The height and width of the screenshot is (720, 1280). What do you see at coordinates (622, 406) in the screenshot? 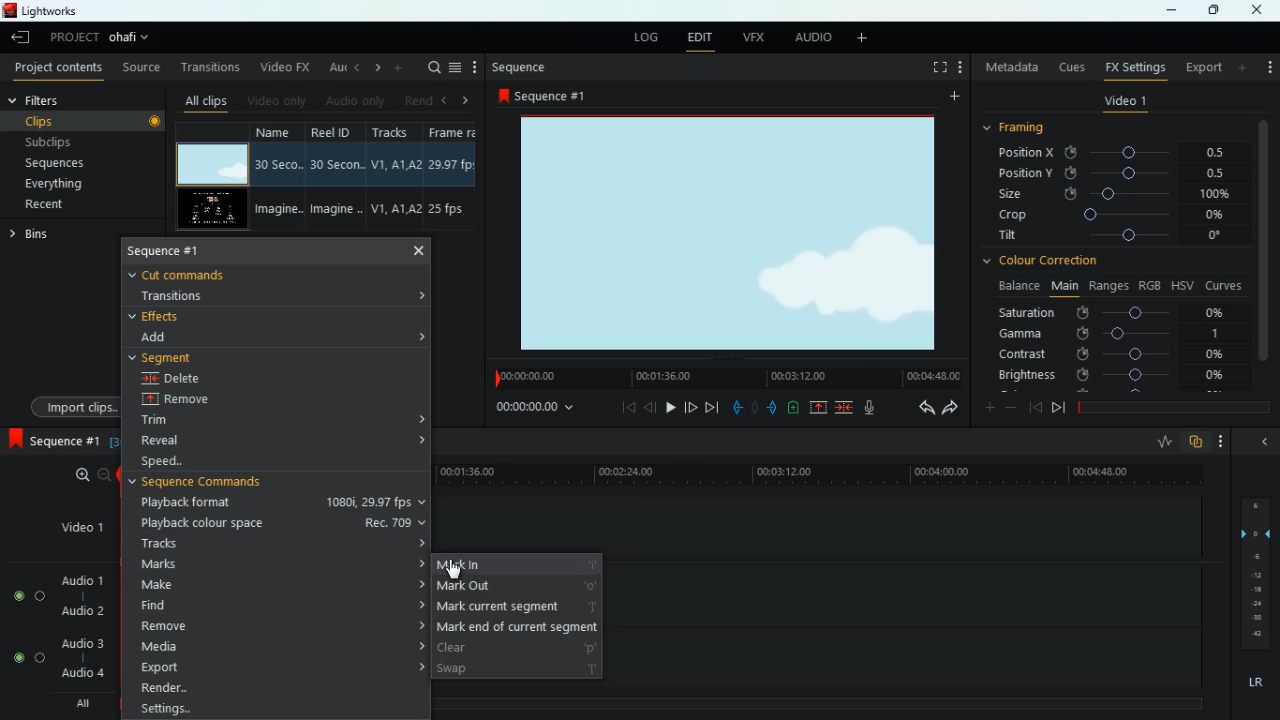
I see `beggining` at bounding box center [622, 406].